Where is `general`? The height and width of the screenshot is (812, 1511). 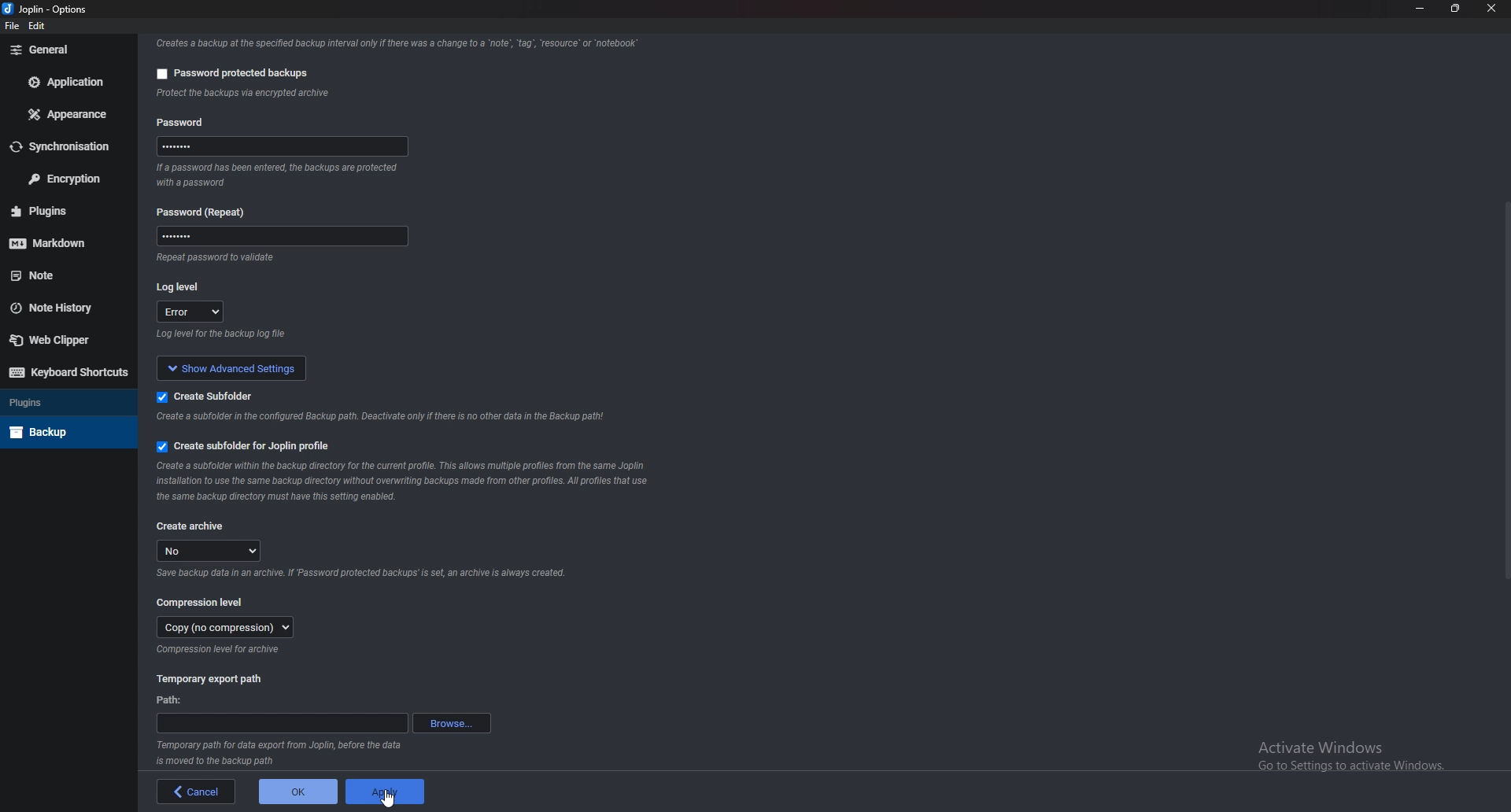
general is located at coordinates (64, 50).